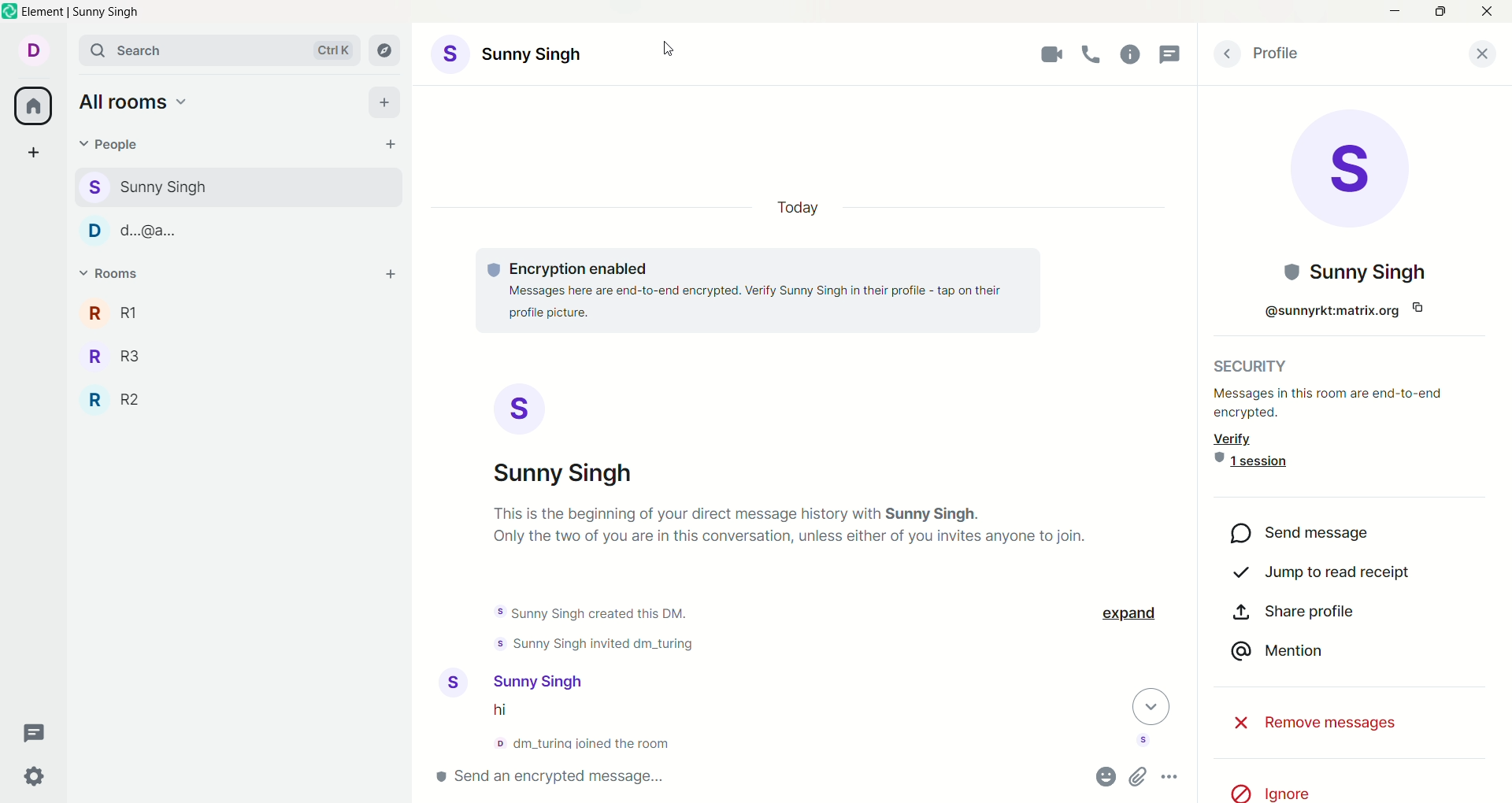  Describe the element at coordinates (1174, 55) in the screenshot. I see `Chat` at that location.